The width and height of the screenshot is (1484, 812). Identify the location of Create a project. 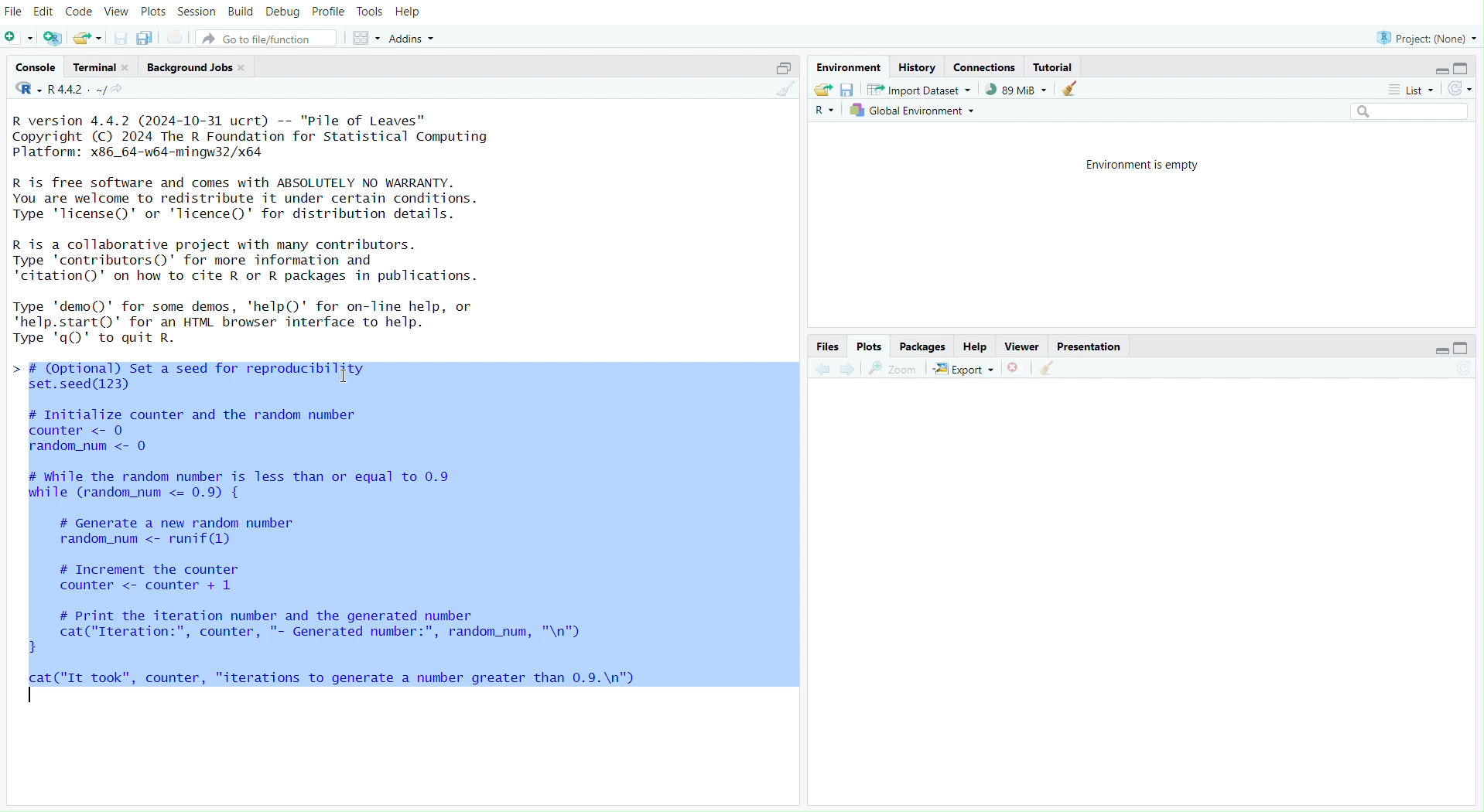
(52, 36).